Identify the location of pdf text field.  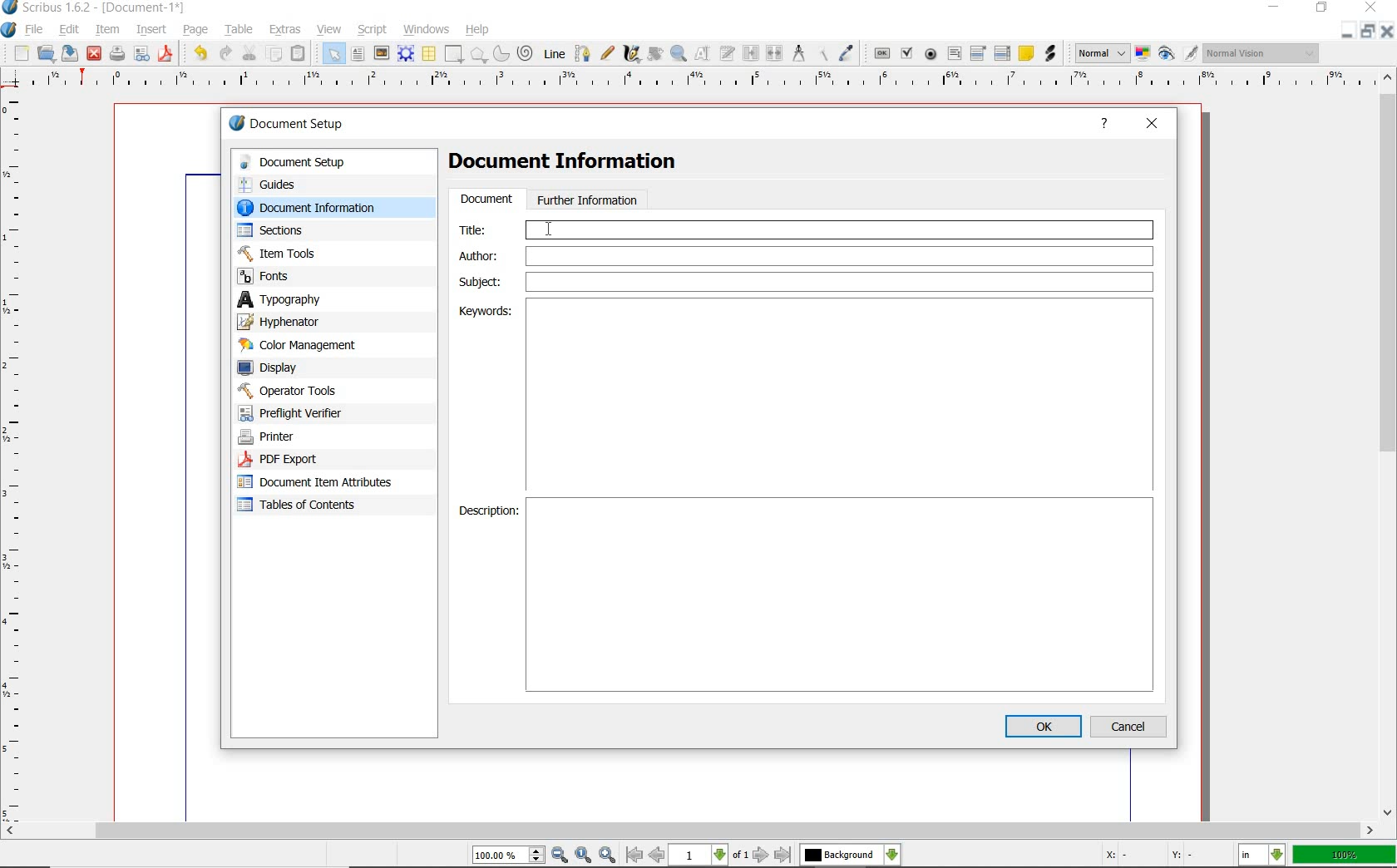
(954, 54).